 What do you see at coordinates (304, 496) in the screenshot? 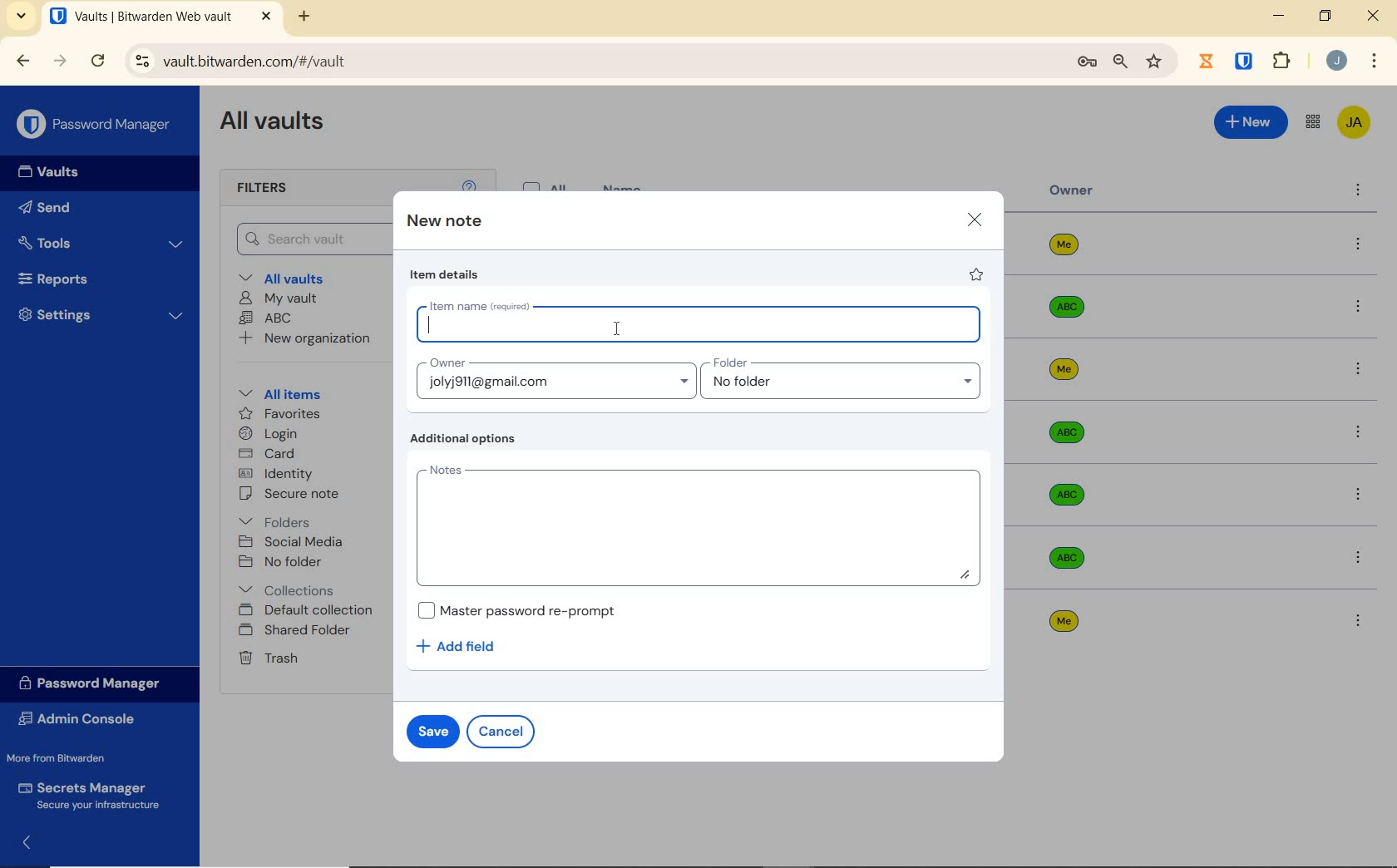
I see `secure note` at bounding box center [304, 496].